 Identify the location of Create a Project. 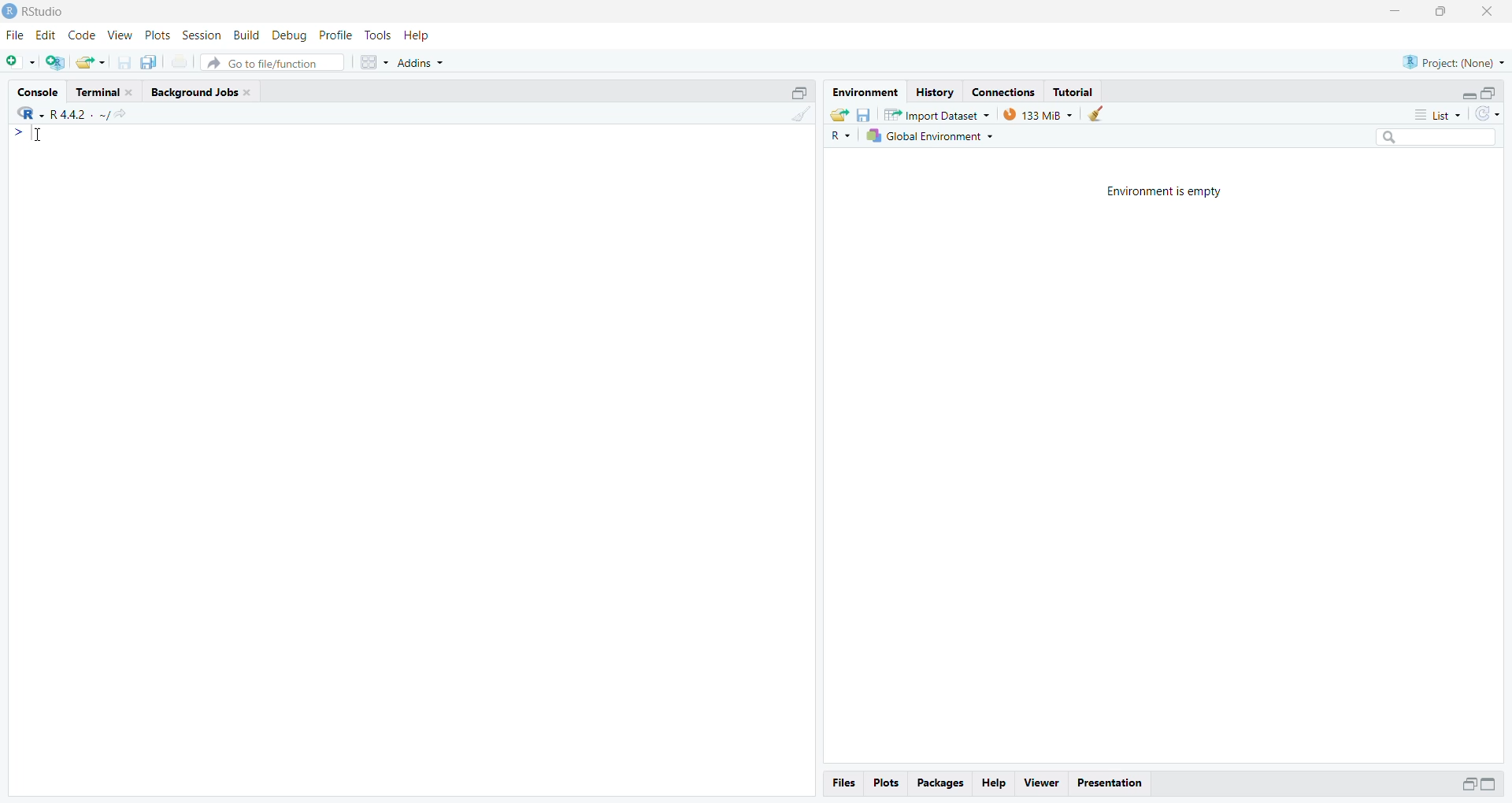
(57, 62).